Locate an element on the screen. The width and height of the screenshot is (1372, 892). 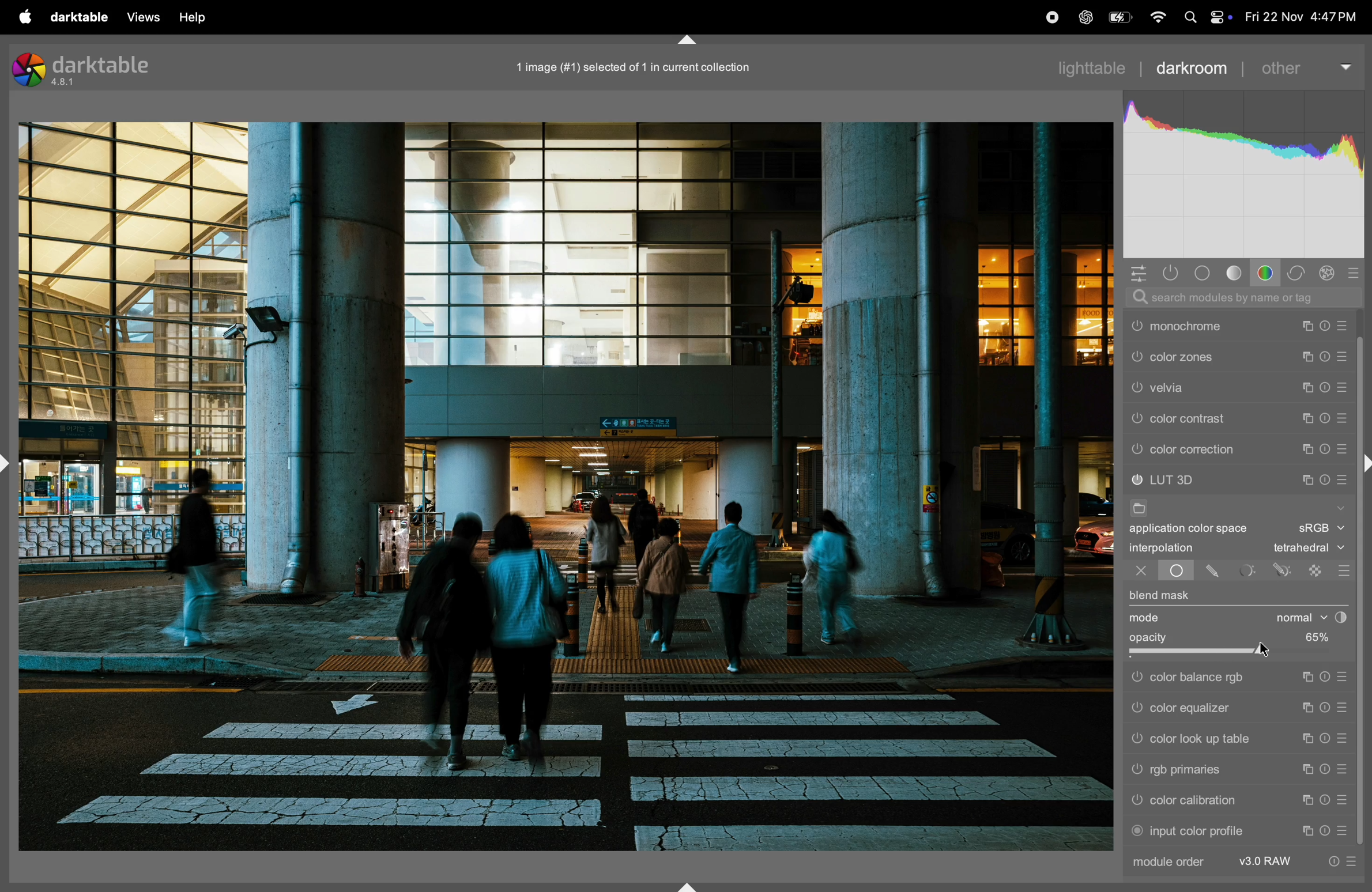
close is located at coordinates (1134, 572).